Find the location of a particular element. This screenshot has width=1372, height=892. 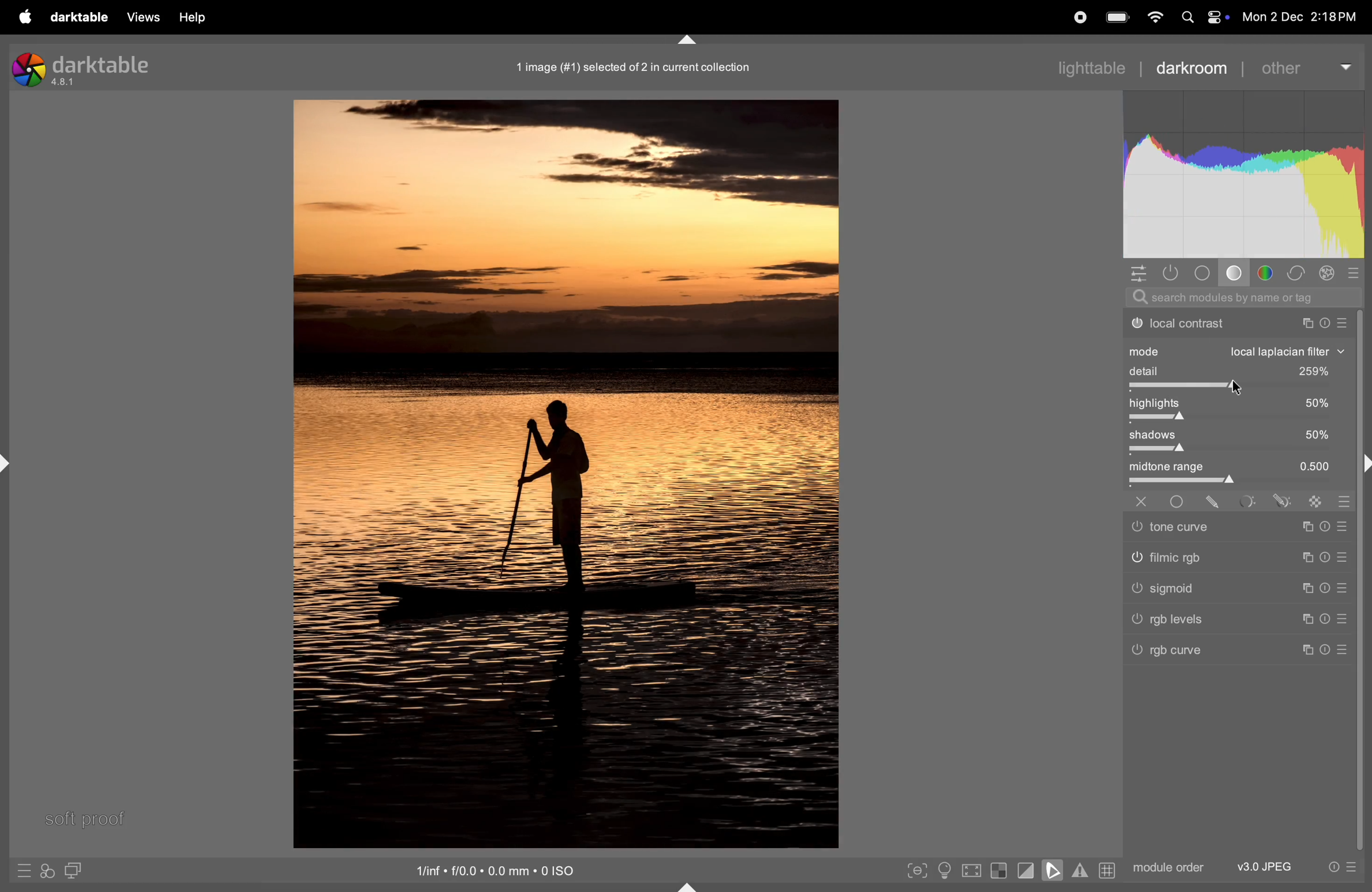

 is located at coordinates (1342, 652).